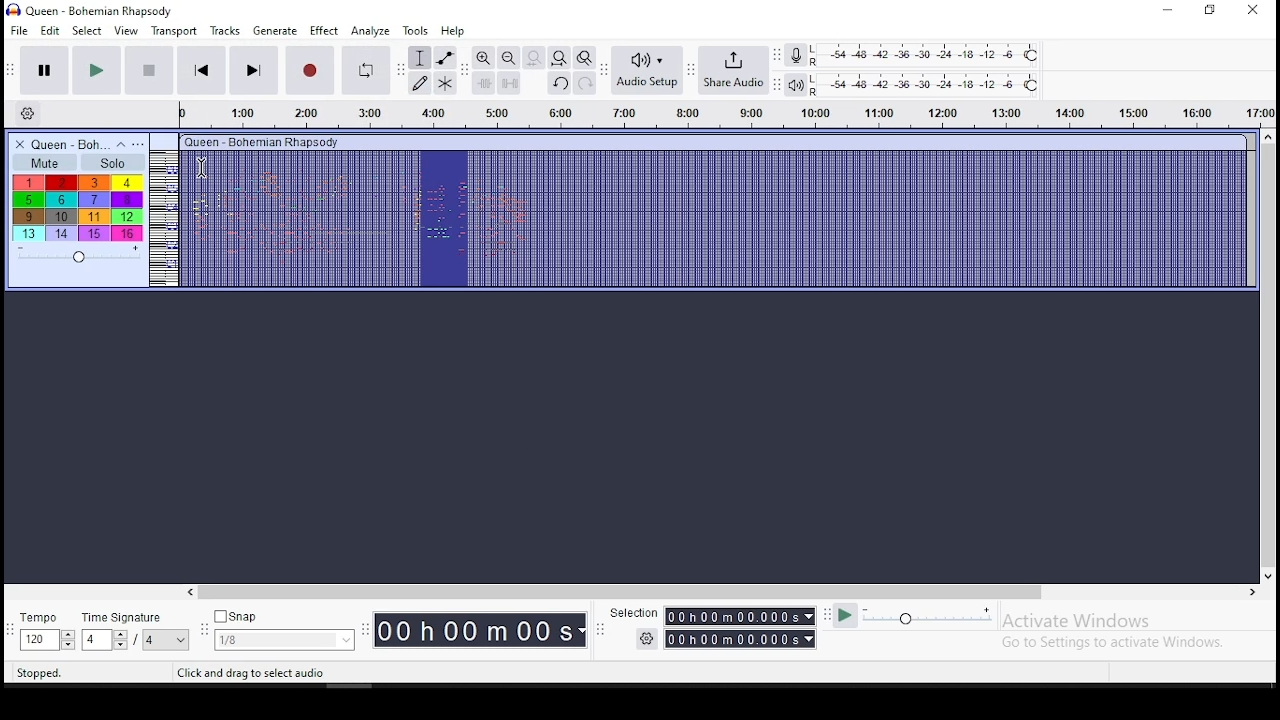 The height and width of the screenshot is (720, 1280). I want to click on track name, so click(72, 143).